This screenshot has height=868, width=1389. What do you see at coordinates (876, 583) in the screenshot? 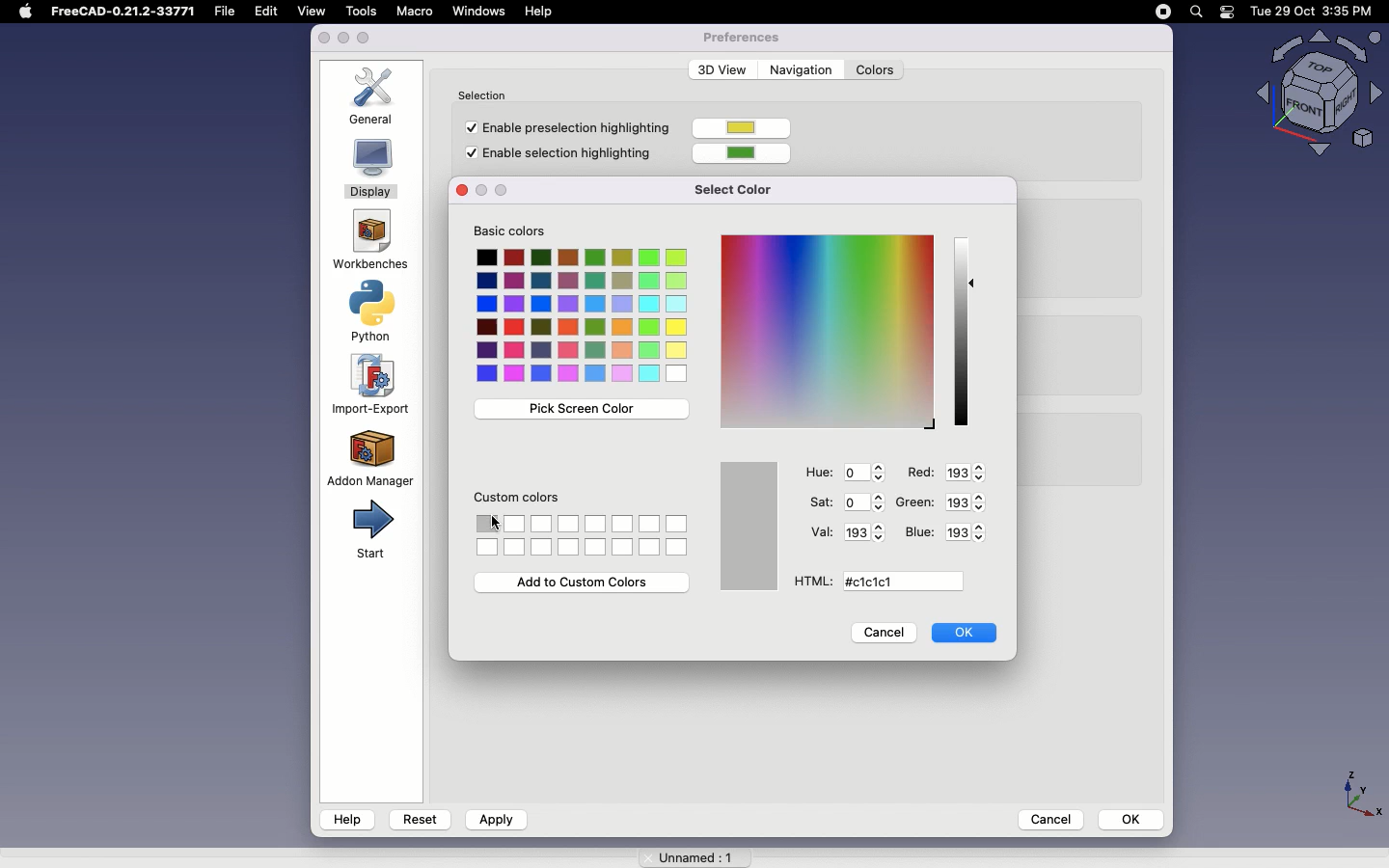
I see `#c1c1c1` at bounding box center [876, 583].